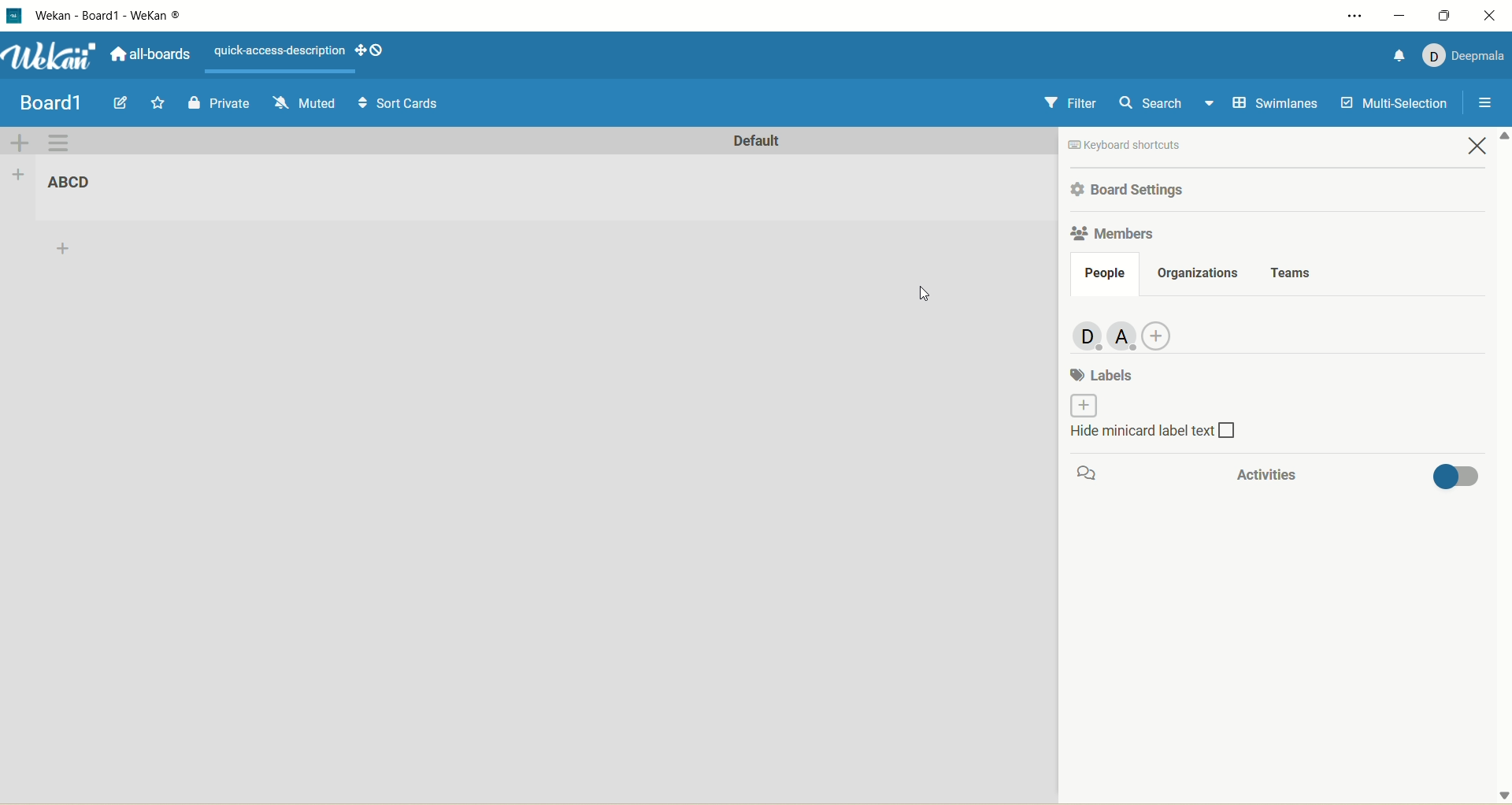 This screenshot has width=1512, height=805. I want to click on wekan-wekan, so click(108, 16).